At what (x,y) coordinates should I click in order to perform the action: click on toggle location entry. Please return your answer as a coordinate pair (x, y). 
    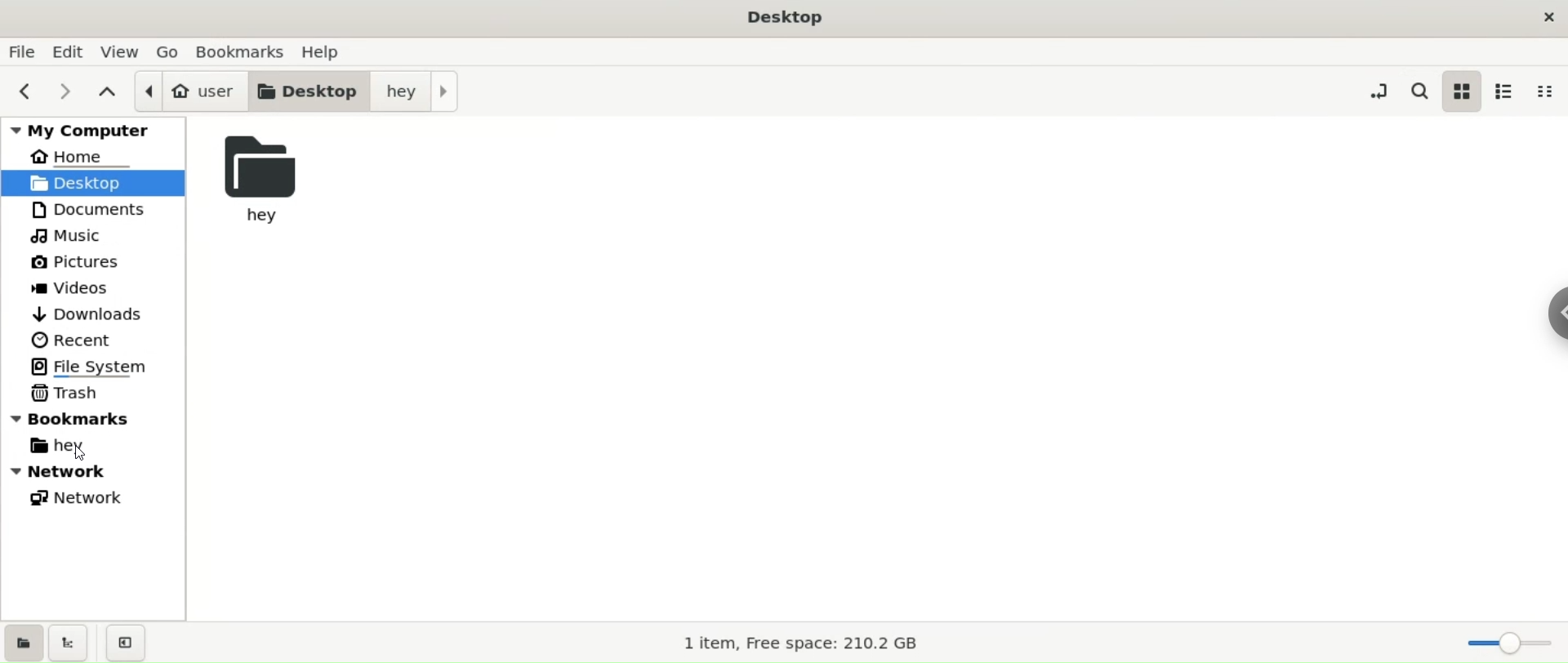
    Looking at the image, I should click on (1379, 89).